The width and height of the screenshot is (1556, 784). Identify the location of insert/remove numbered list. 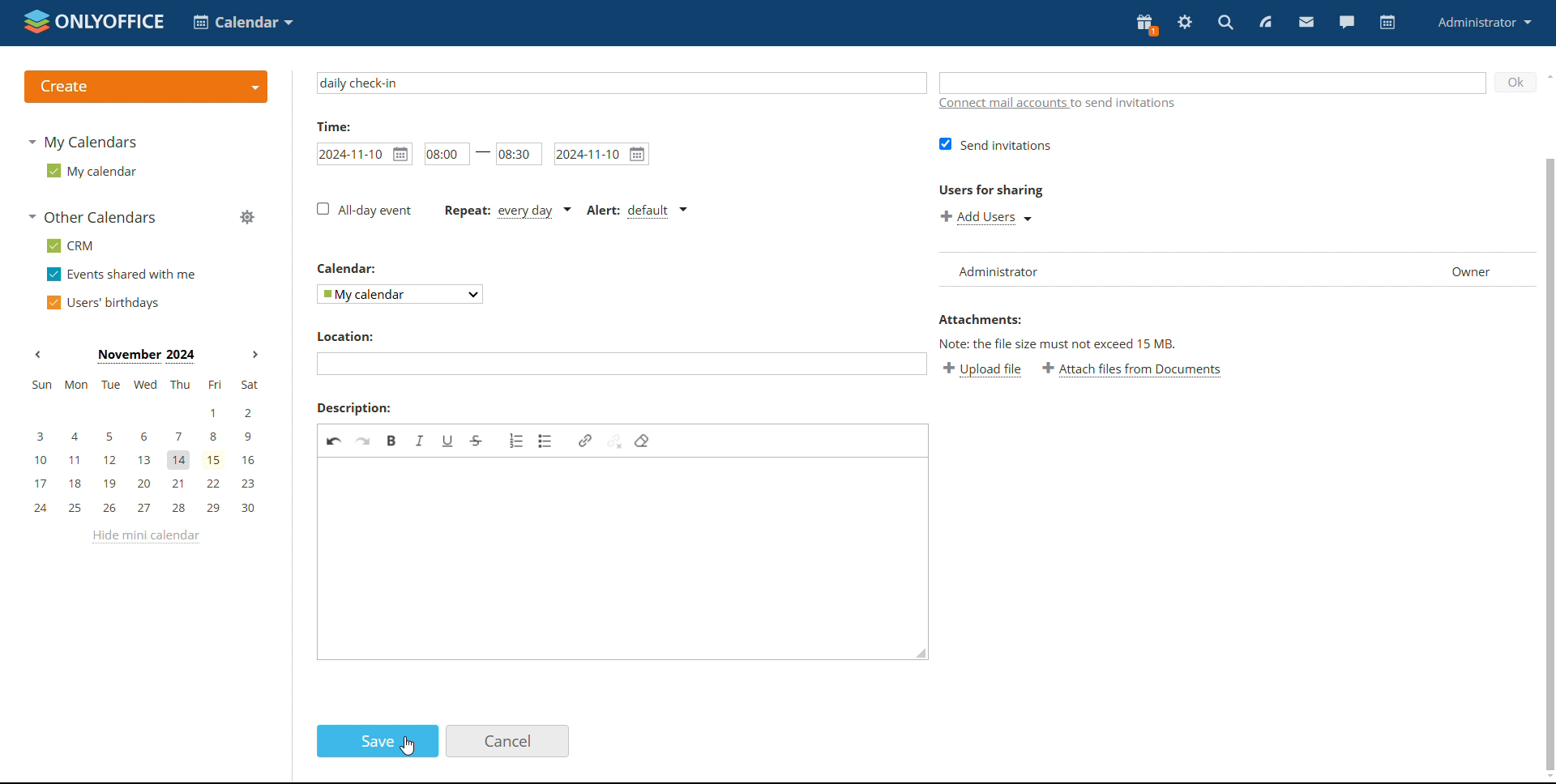
(515, 445).